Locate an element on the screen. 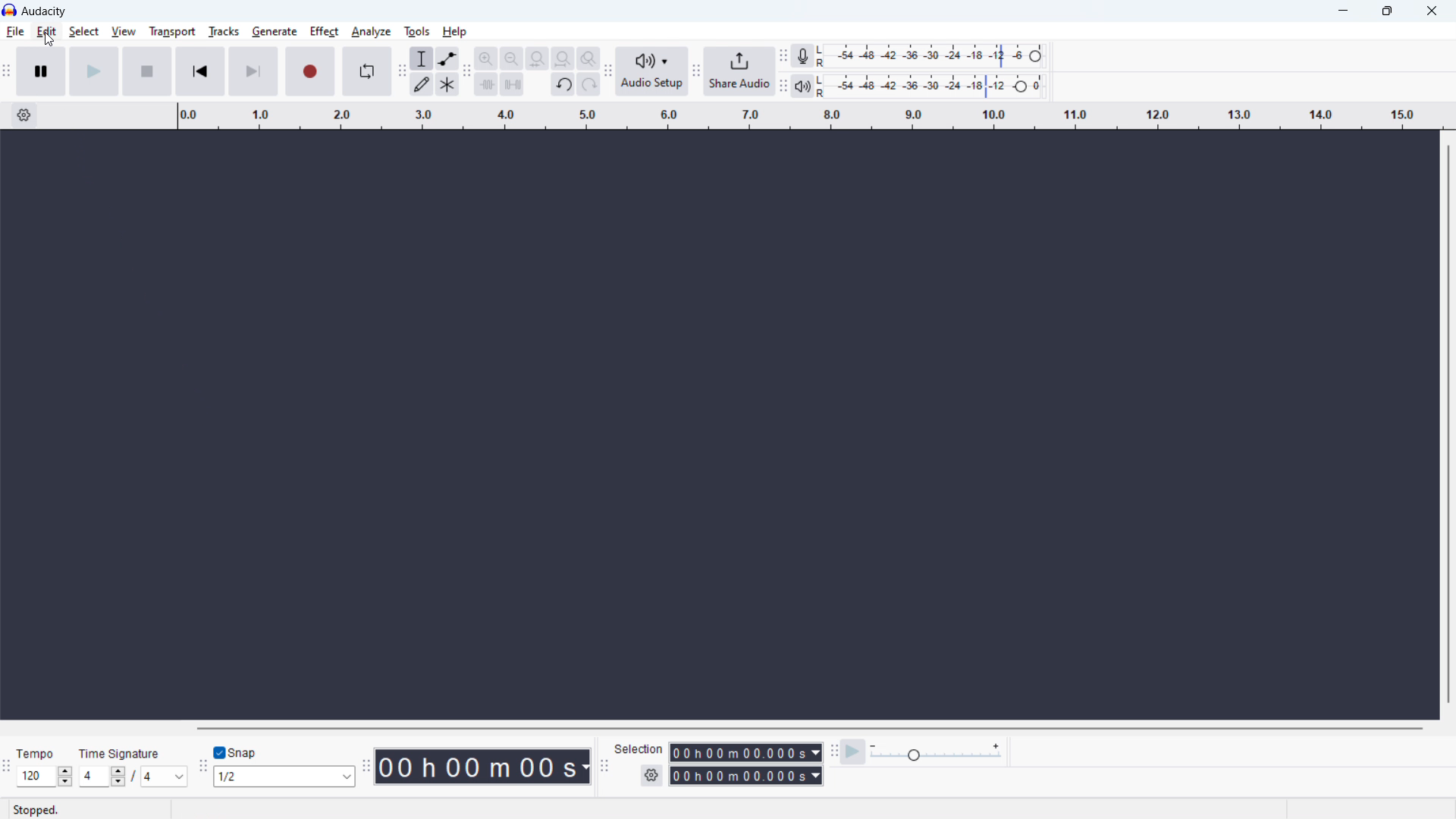 This screenshot has height=819, width=1456. select is located at coordinates (84, 31).